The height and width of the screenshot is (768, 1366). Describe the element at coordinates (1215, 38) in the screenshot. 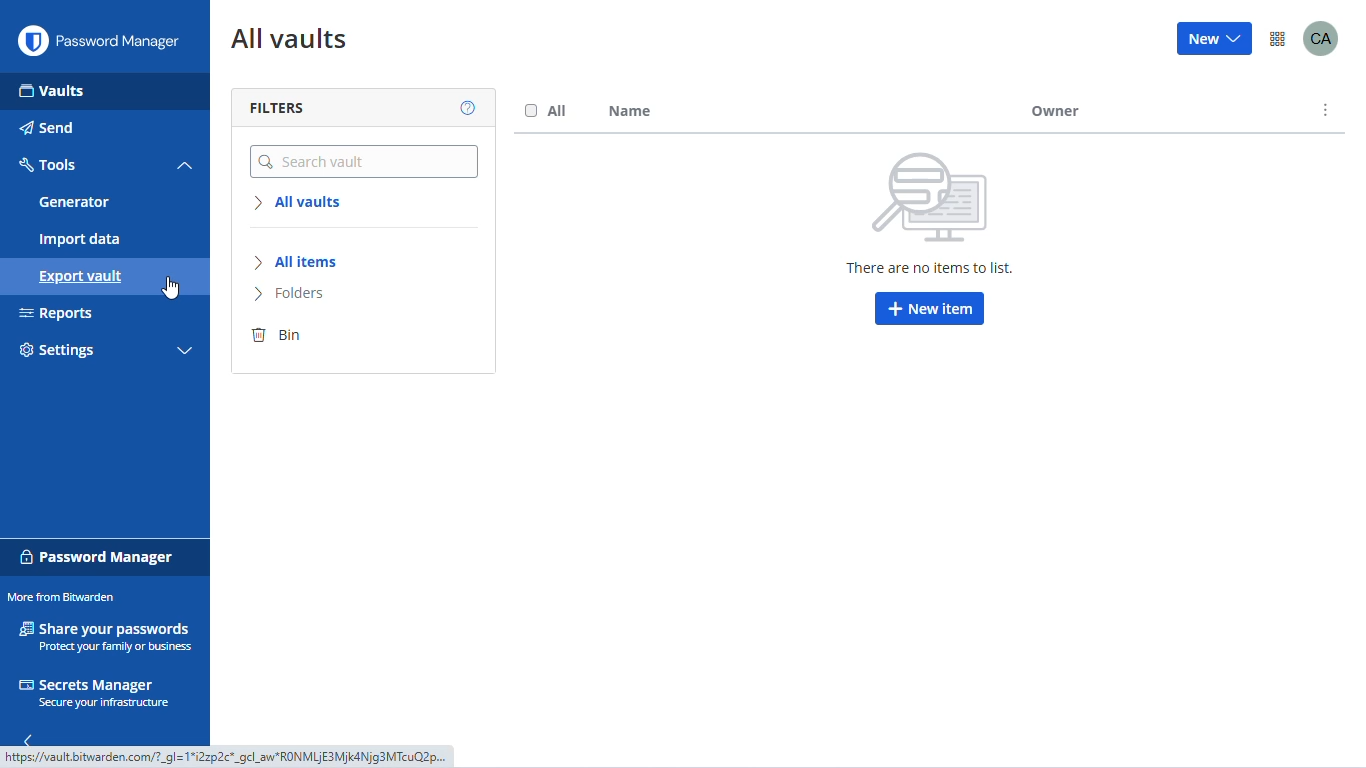

I see `new` at that location.